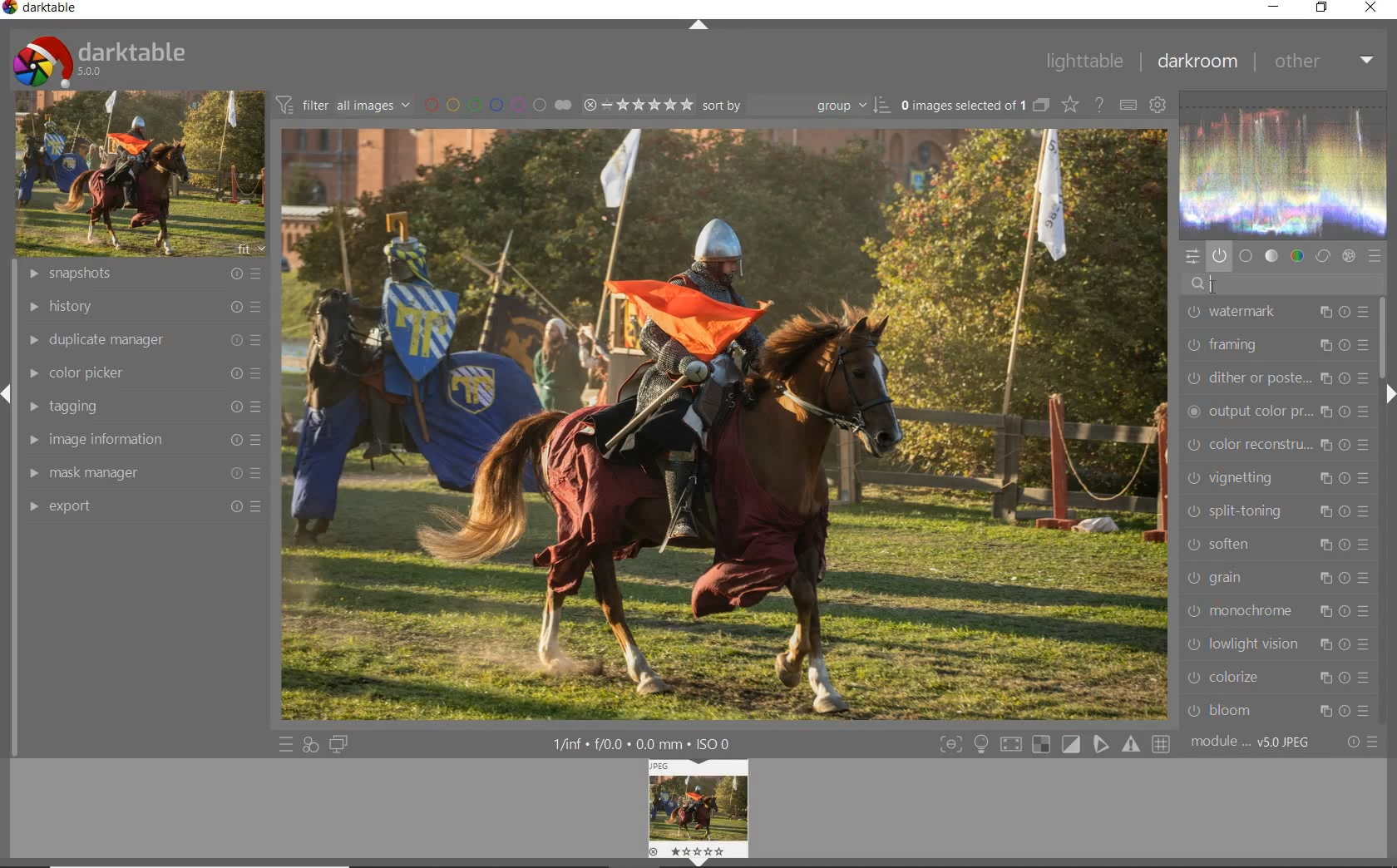 The height and width of the screenshot is (868, 1397). Describe the element at coordinates (1071, 104) in the screenshot. I see `change type of overlays` at that location.